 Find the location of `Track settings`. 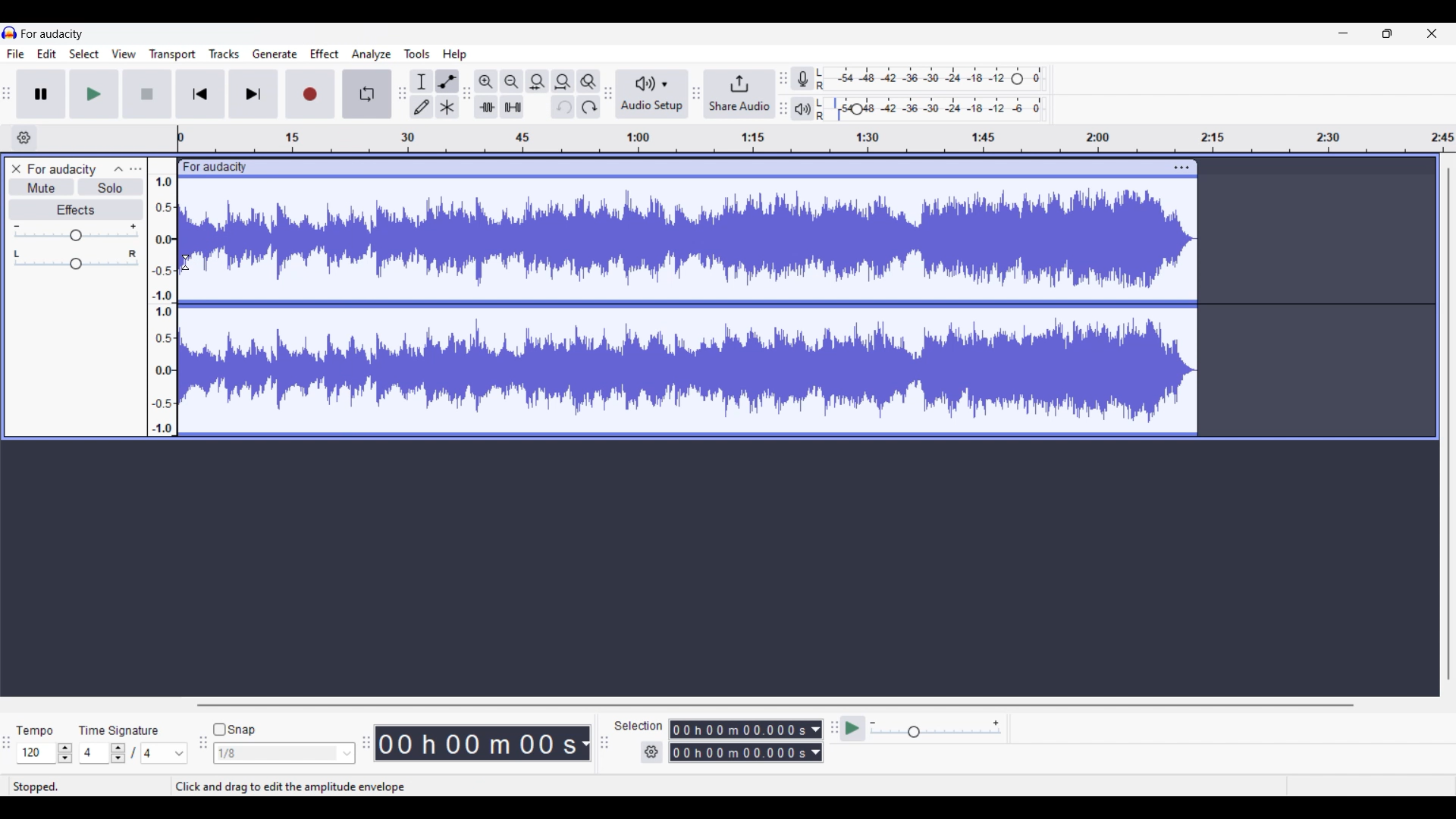

Track settings is located at coordinates (1182, 168).